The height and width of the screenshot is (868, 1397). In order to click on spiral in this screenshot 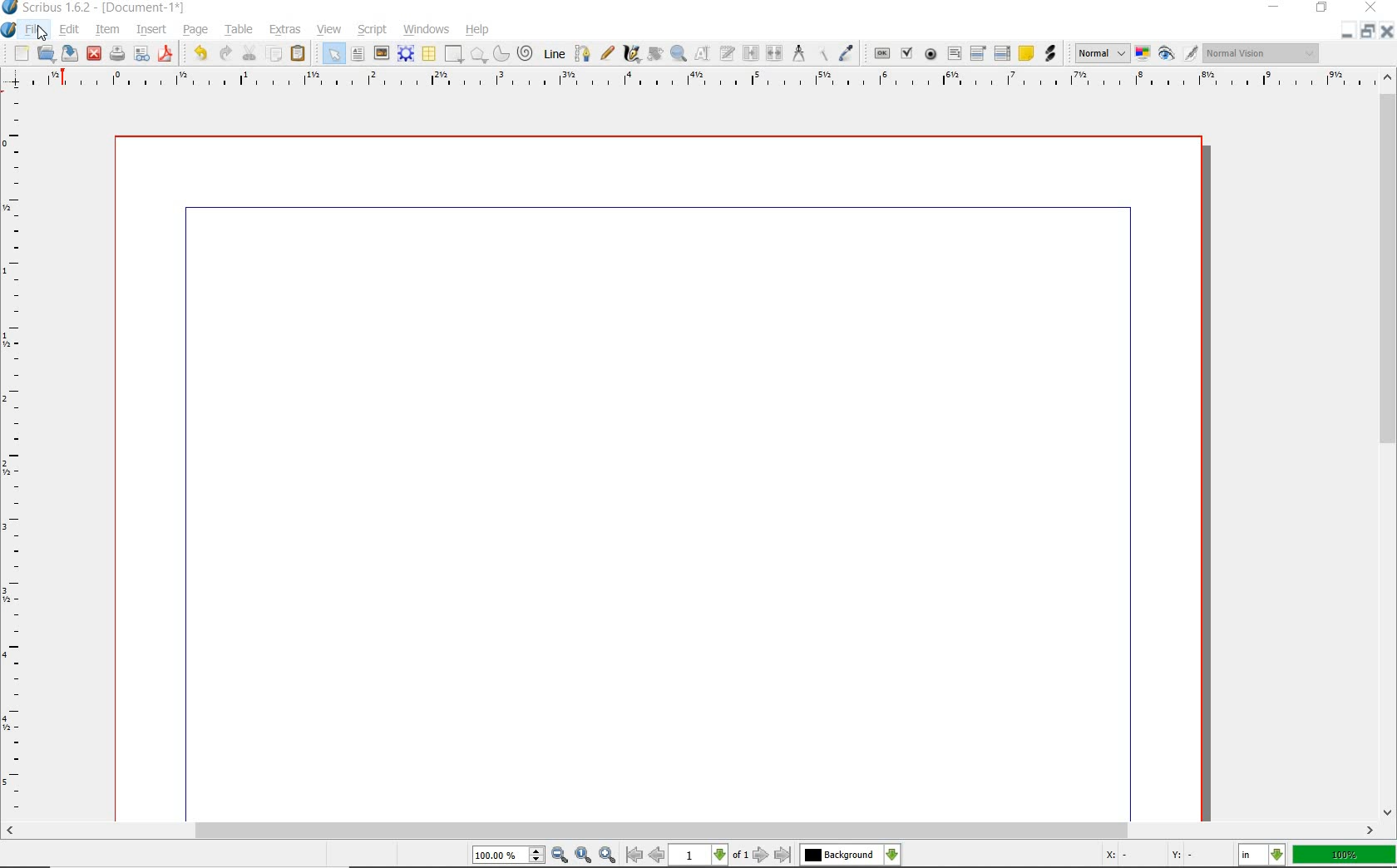, I will do `click(526, 52)`.